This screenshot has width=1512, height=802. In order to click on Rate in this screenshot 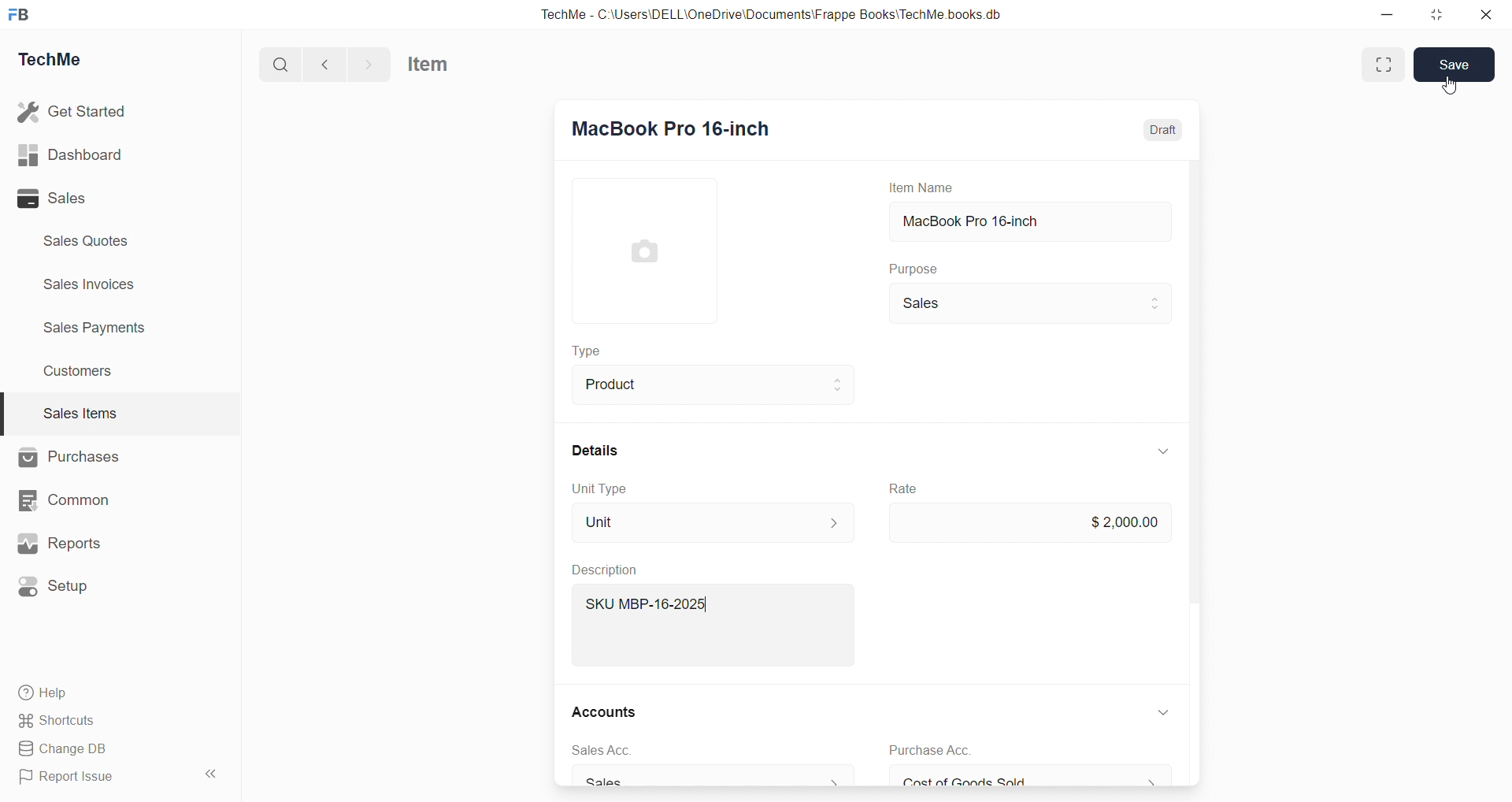, I will do `click(902, 488)`.